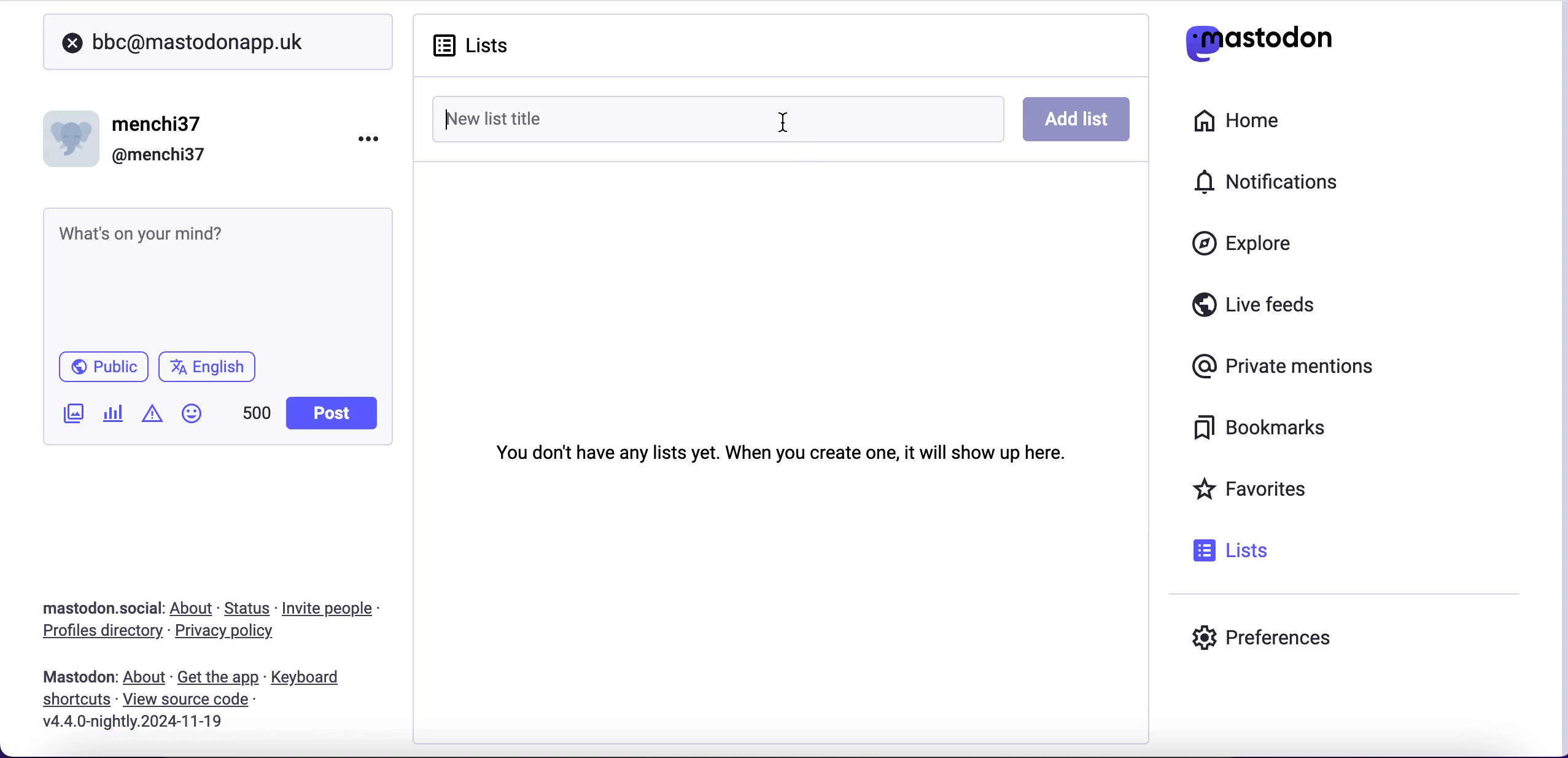  What do you see at coordinates (212, 372) in the screenshot?
I see `language` at bounding box center [212, 372].